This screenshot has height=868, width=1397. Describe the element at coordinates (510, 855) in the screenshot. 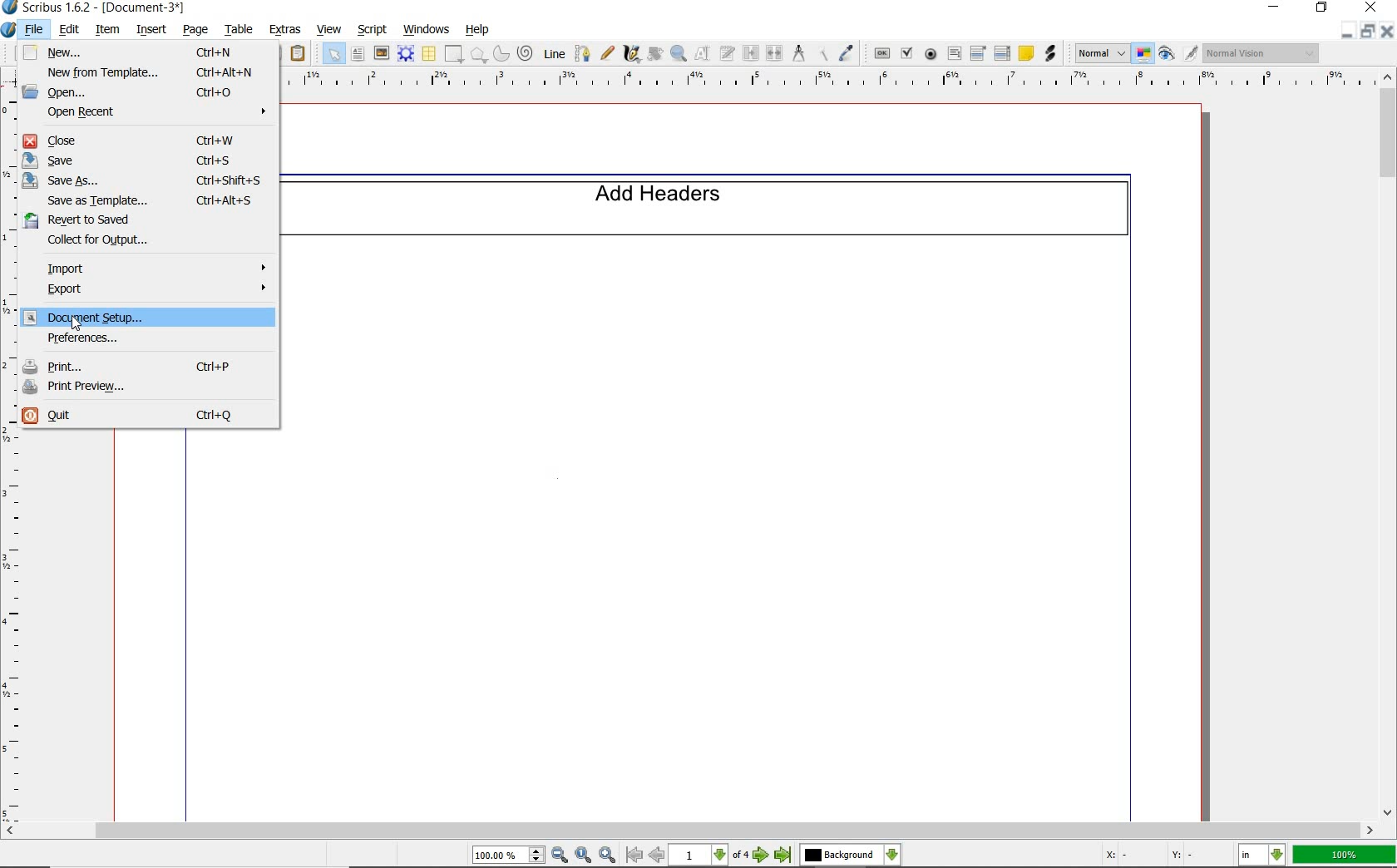

I see `select current zoom level` at that location.